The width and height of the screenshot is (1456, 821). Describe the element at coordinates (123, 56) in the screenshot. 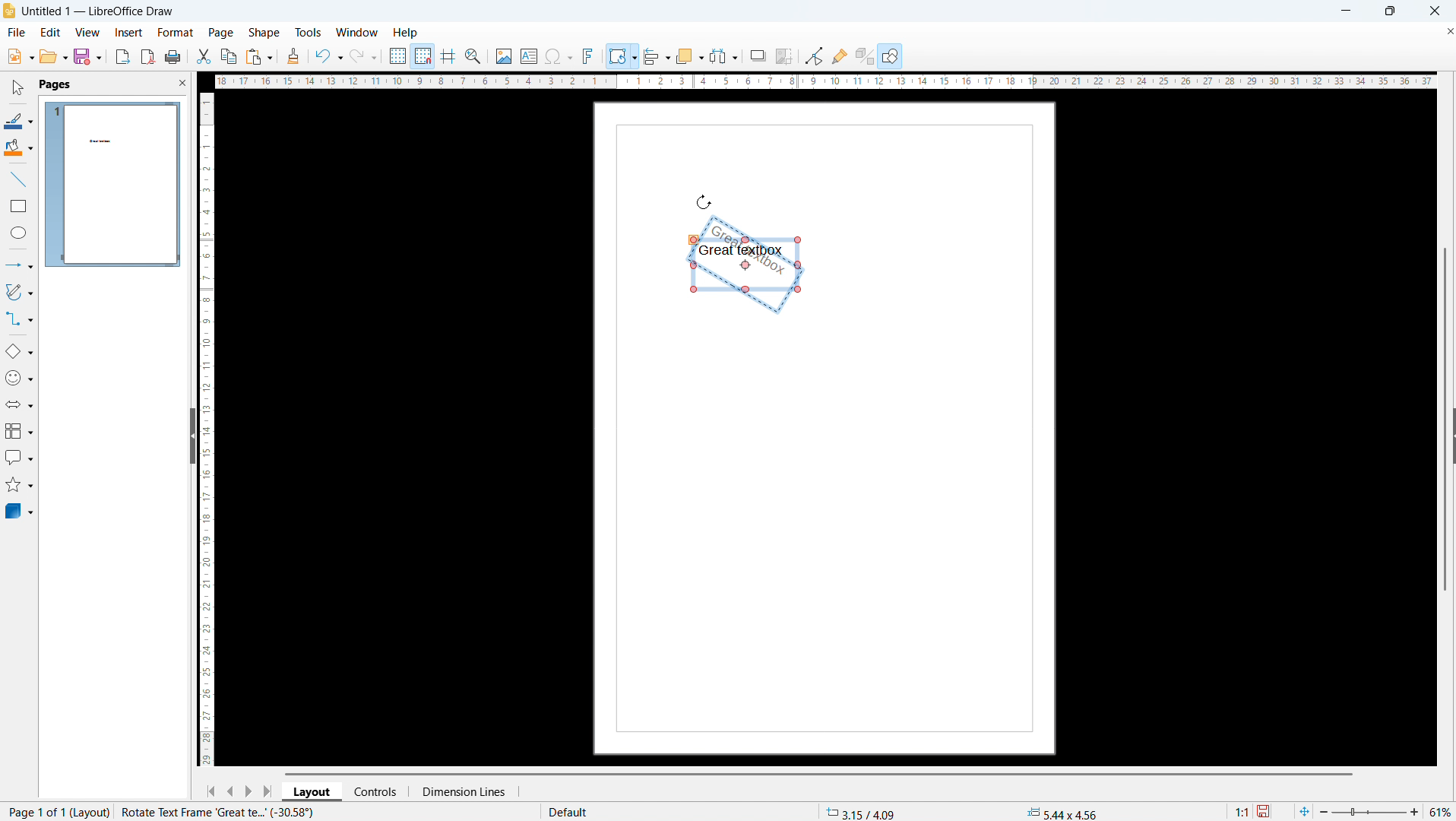

I see `export` at that location.